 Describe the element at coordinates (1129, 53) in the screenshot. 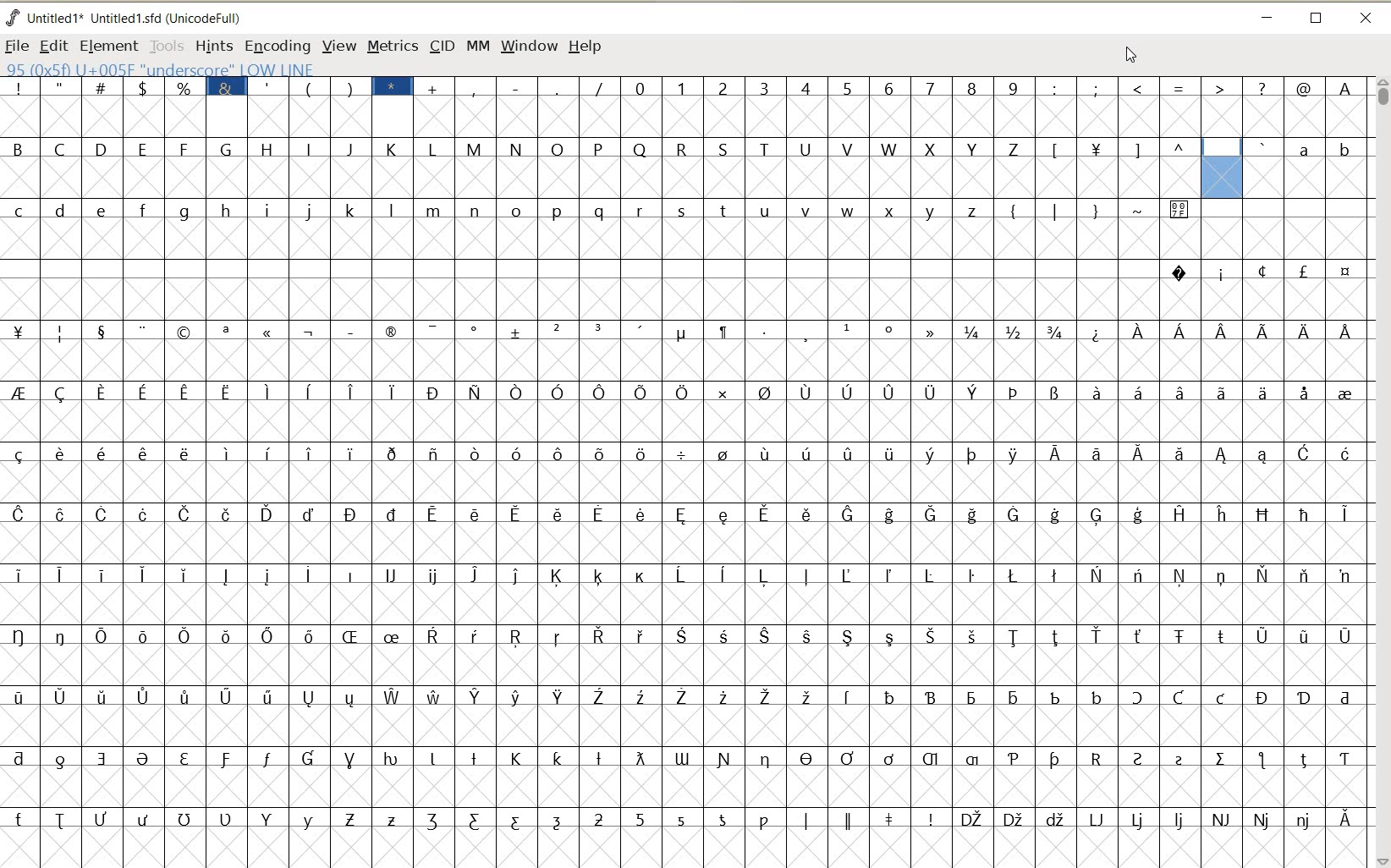

I see `CURSOR` at that location.